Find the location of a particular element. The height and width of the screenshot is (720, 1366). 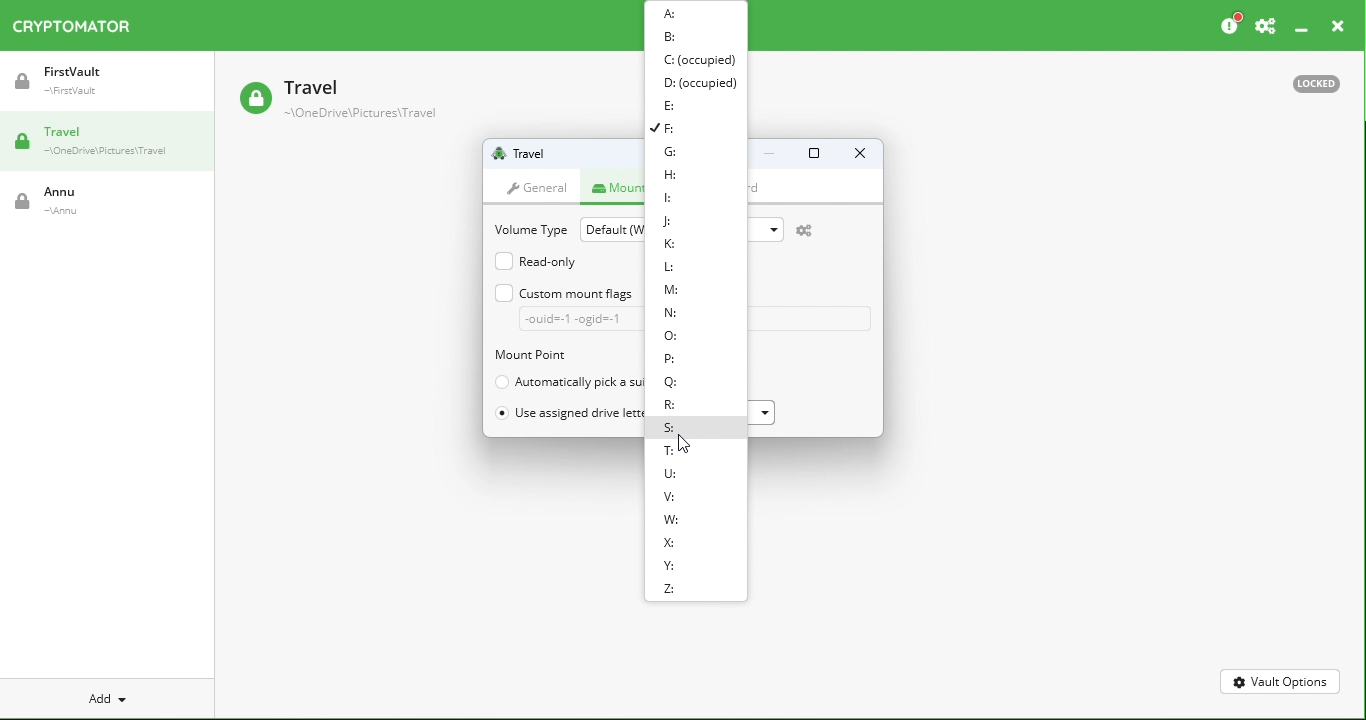

FirstVault is located at coordinates (110, 88).